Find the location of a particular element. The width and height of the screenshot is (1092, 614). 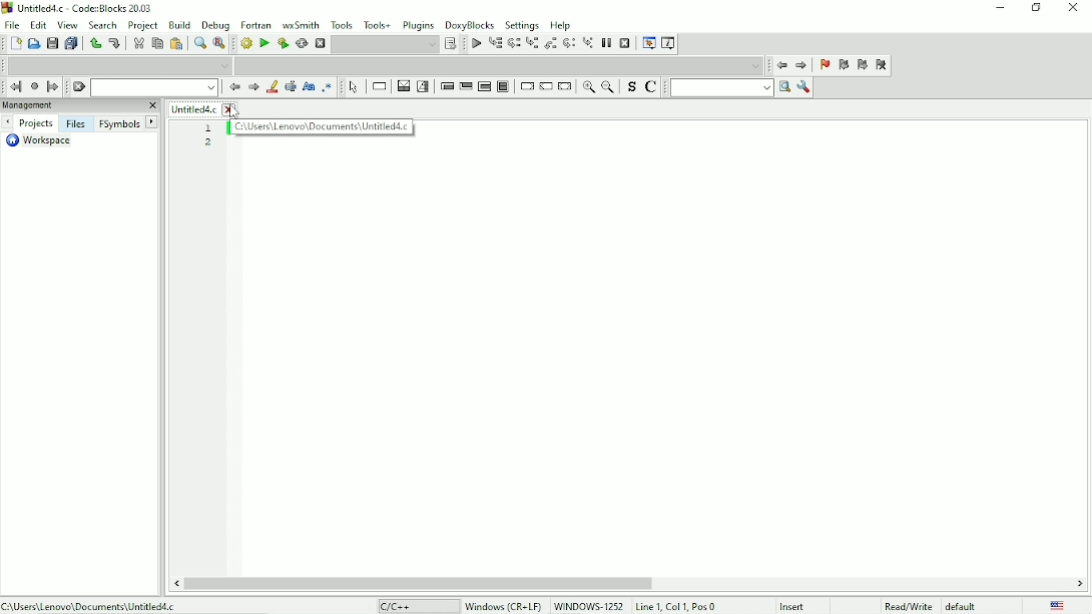

Step into instruction is located at coordinates (589, 43).